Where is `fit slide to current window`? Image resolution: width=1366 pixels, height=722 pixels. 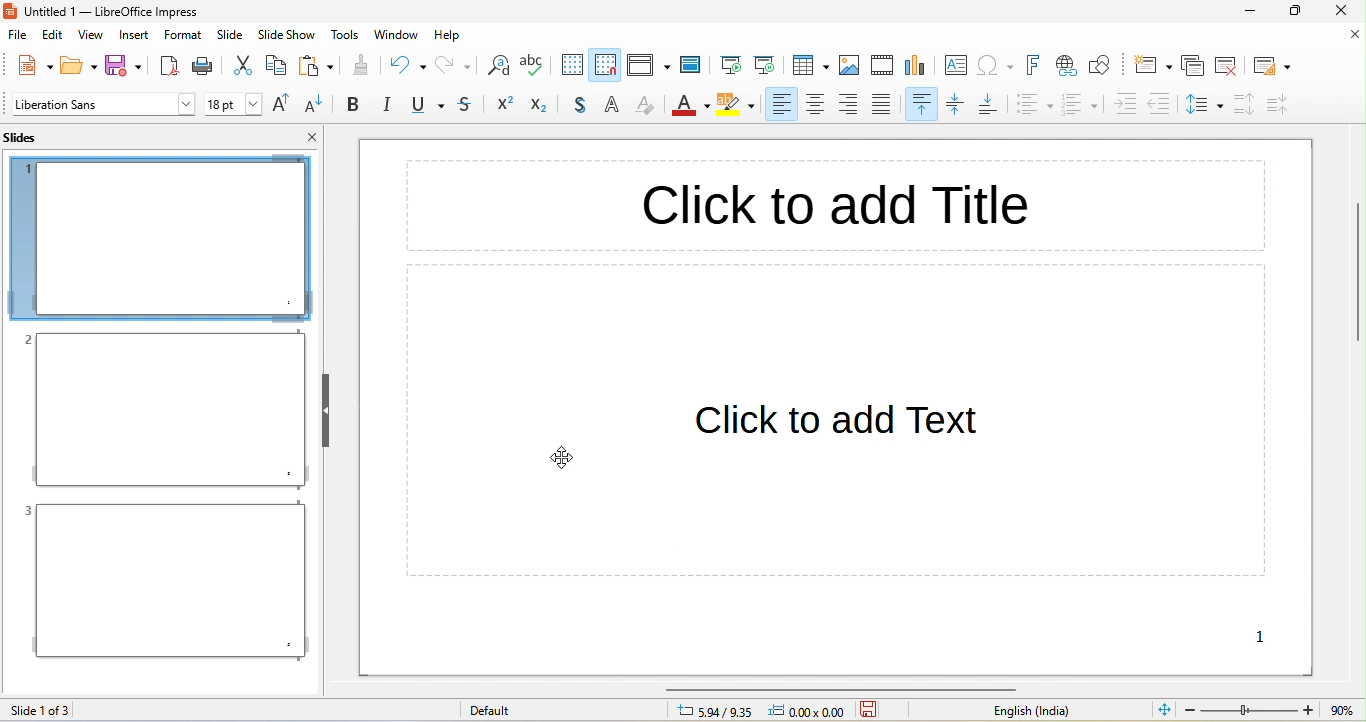 fit slide to current window is located at coordinates (1165, 709).